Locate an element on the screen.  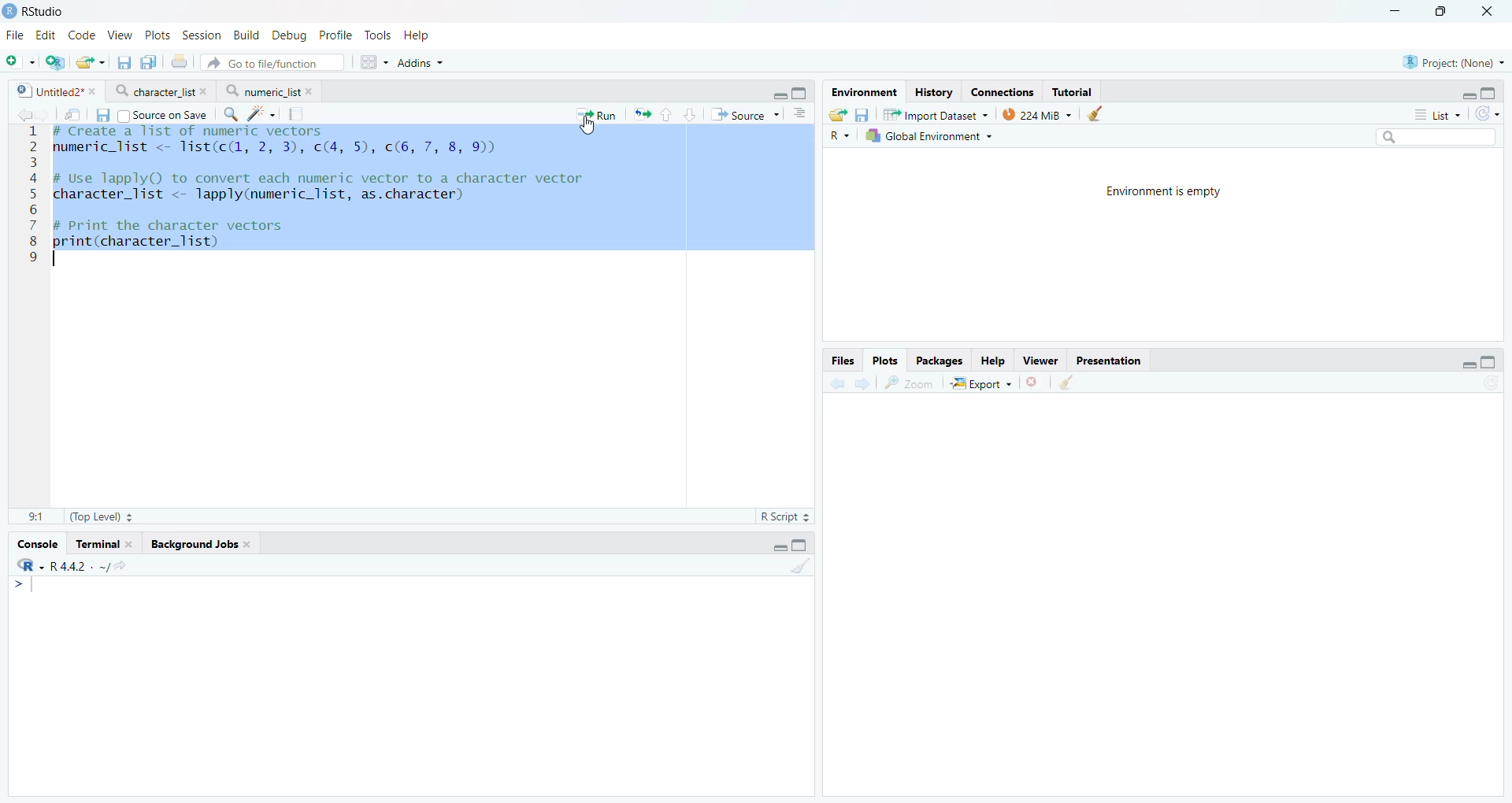
List is located at coordinates (1440, 113).